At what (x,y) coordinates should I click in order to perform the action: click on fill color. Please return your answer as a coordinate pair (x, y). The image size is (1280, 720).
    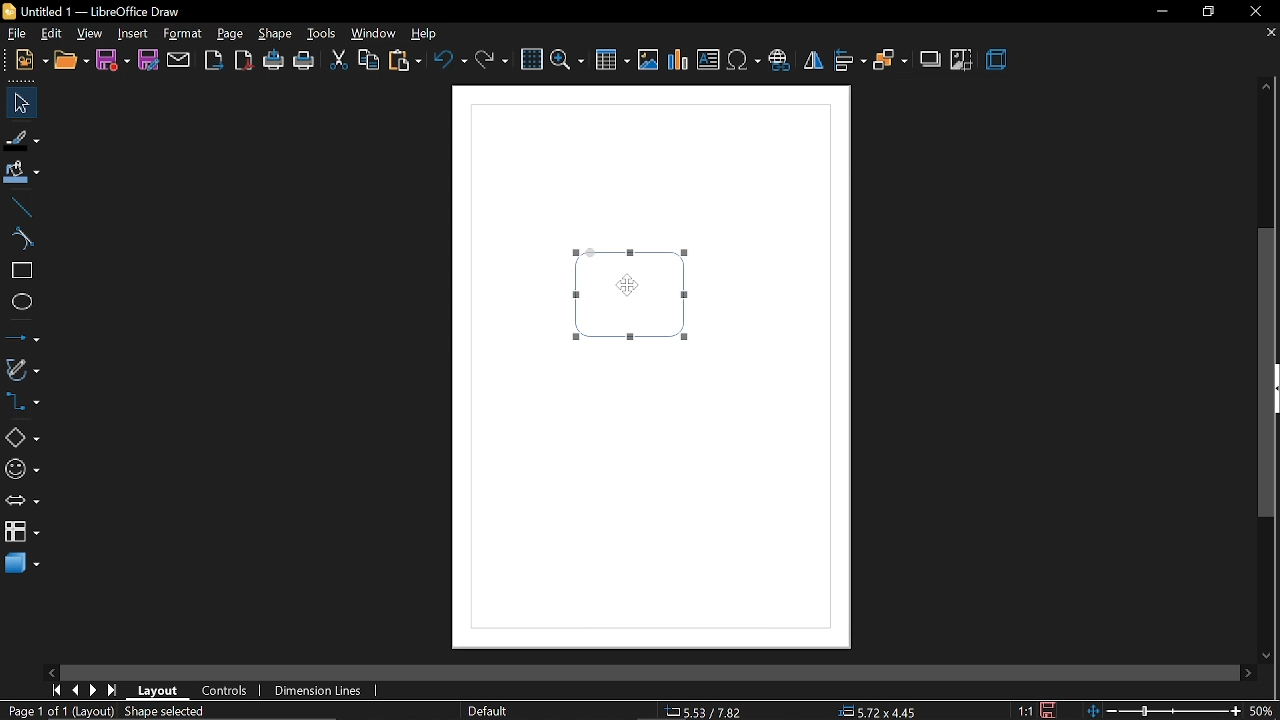
    Looking at the image, I should click on (21, 174).